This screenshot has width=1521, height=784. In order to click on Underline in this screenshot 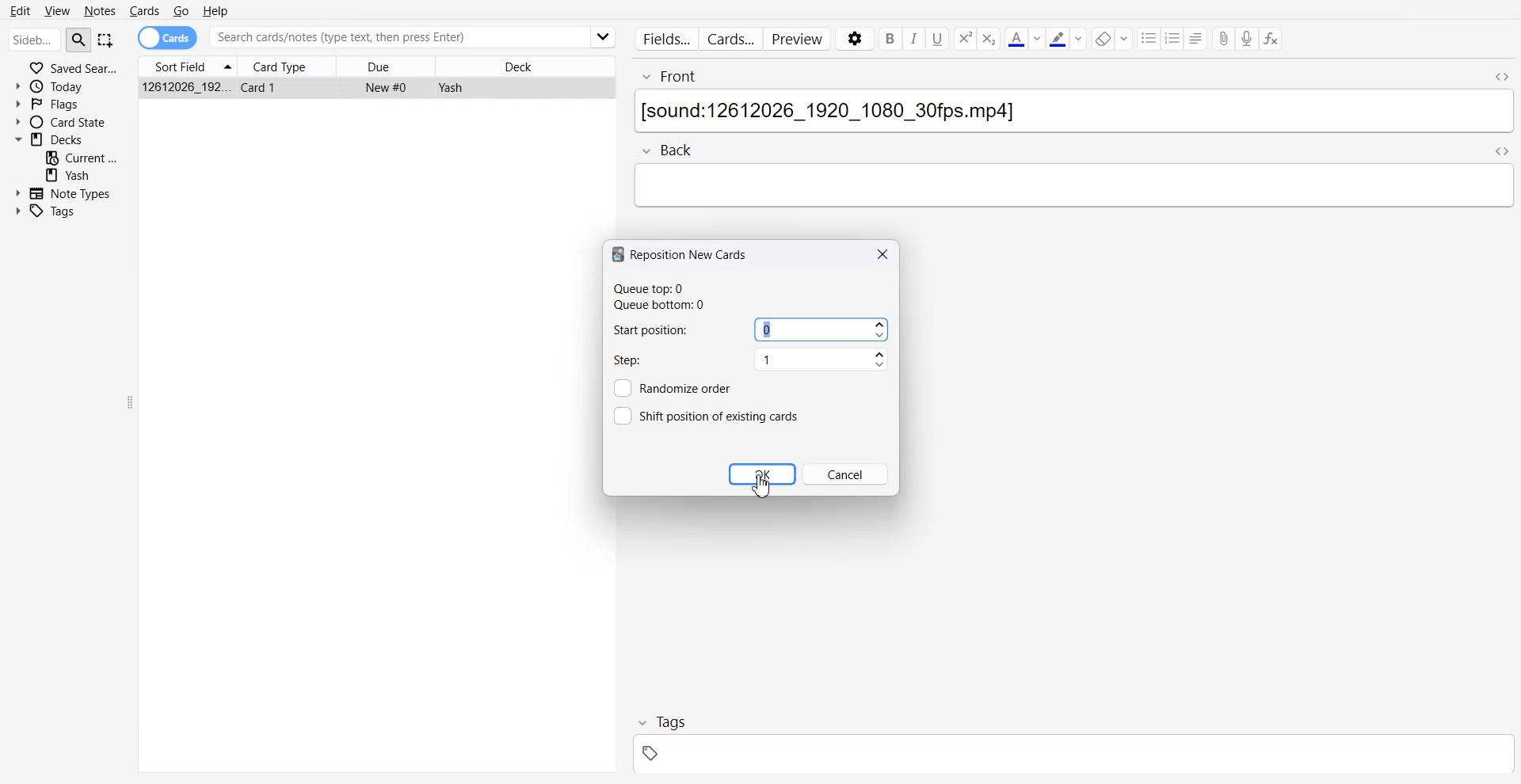, I will do `click(938, 39)`.